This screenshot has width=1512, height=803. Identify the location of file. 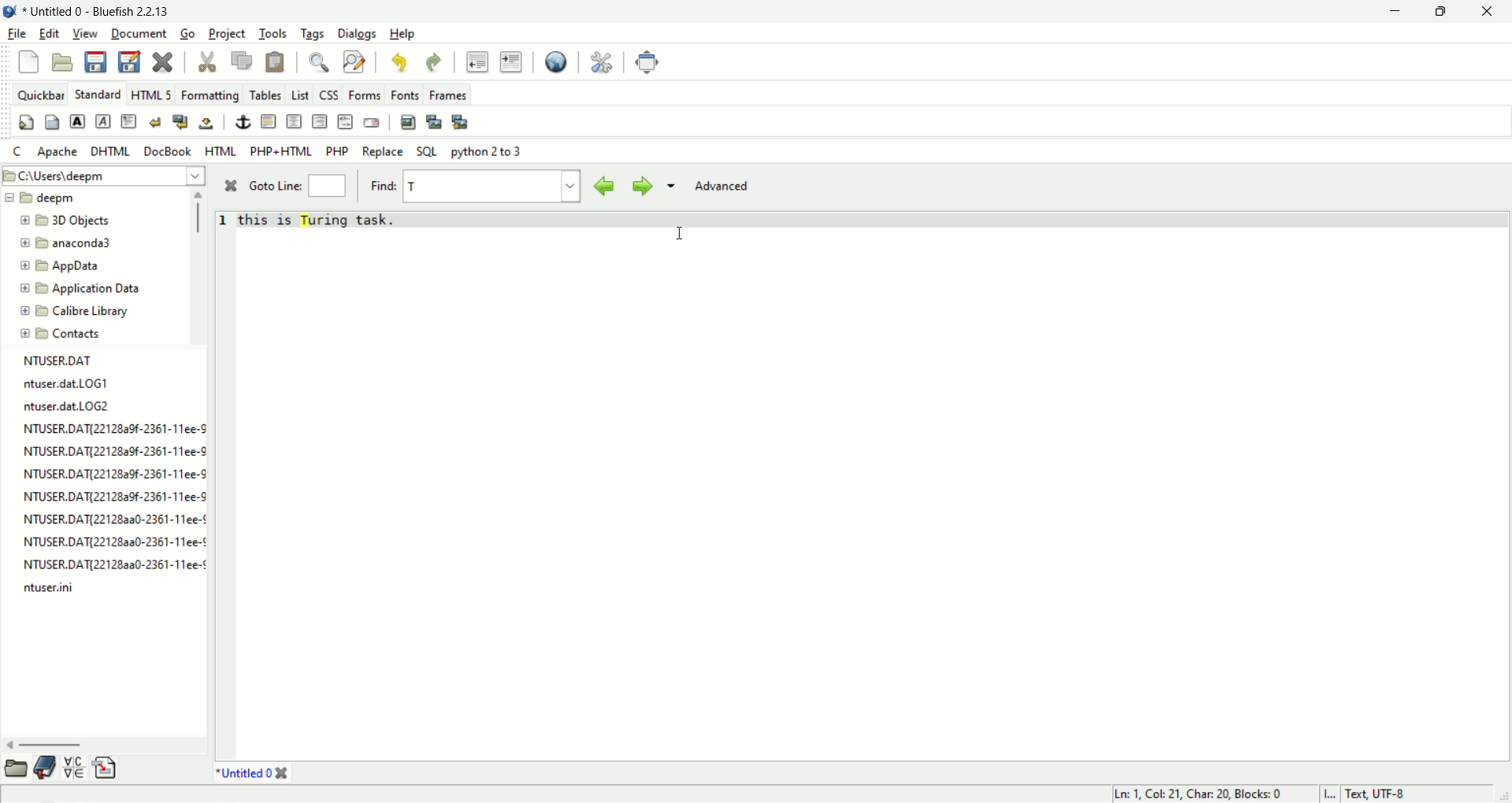
(15, 35).